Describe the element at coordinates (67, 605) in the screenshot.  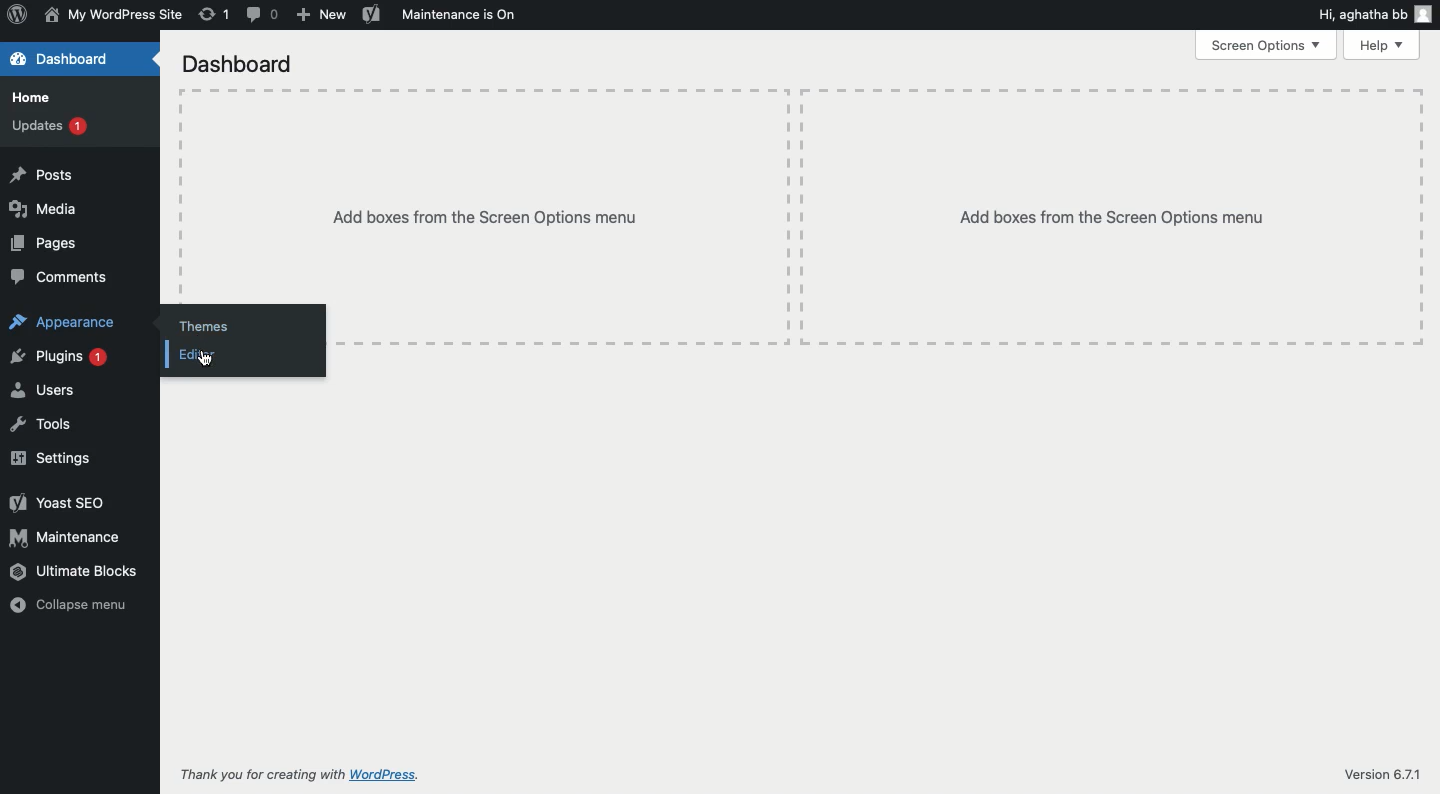
I see `Collapse menu` at that location.